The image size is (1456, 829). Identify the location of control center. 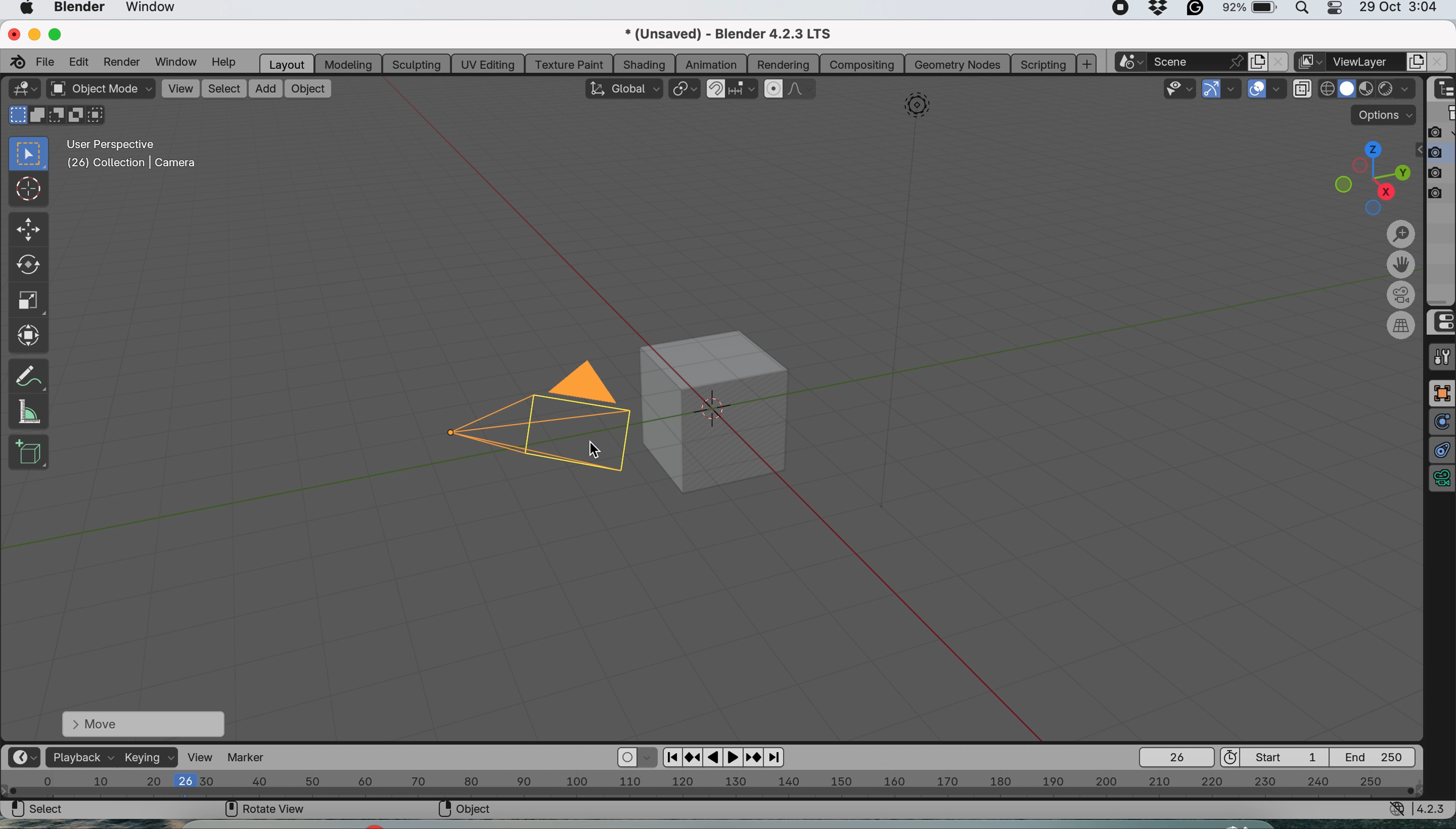
(1441, 322).